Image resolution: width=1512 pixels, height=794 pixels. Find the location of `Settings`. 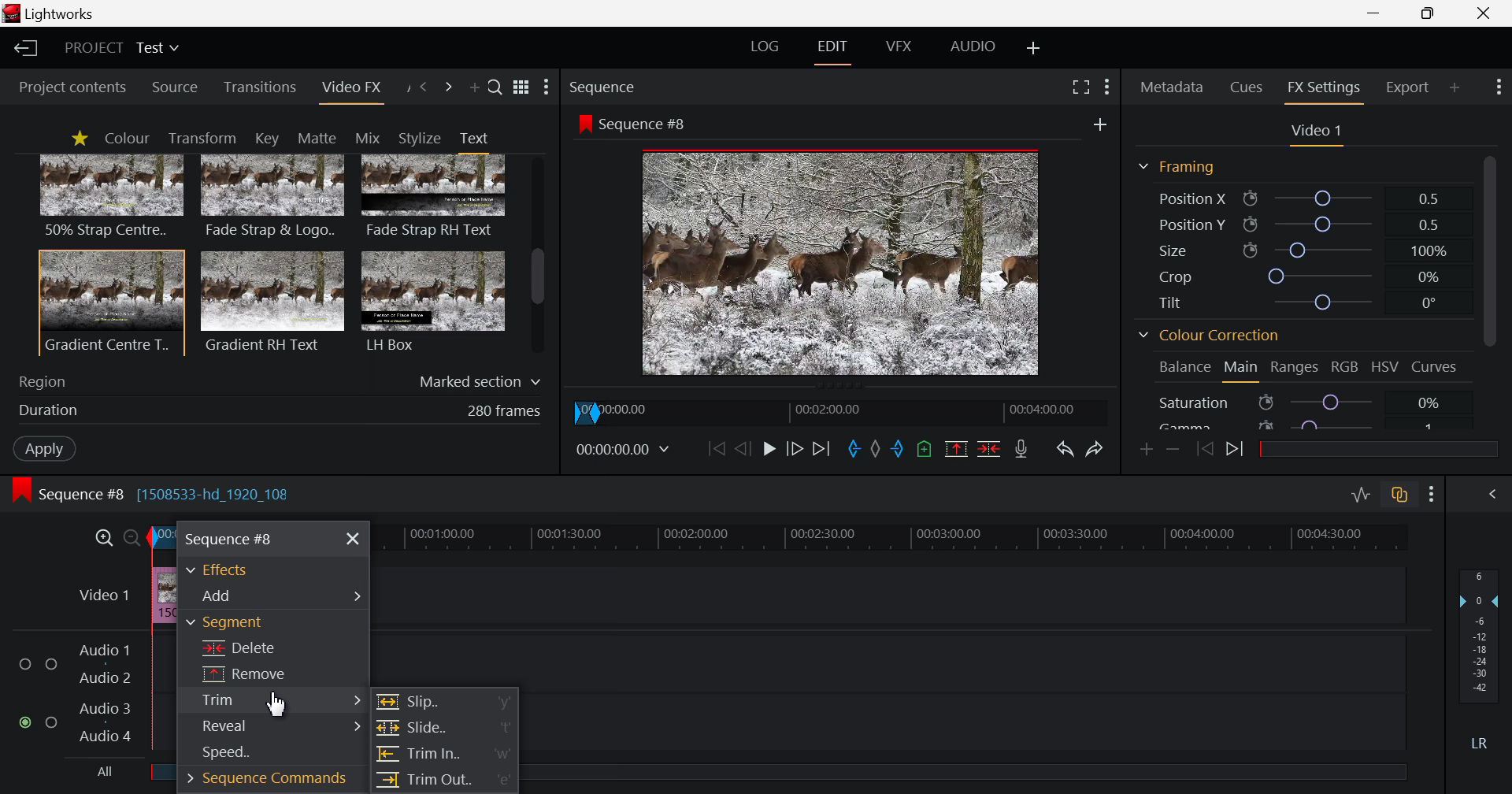

Settings is located at coordinates (1106, 85).